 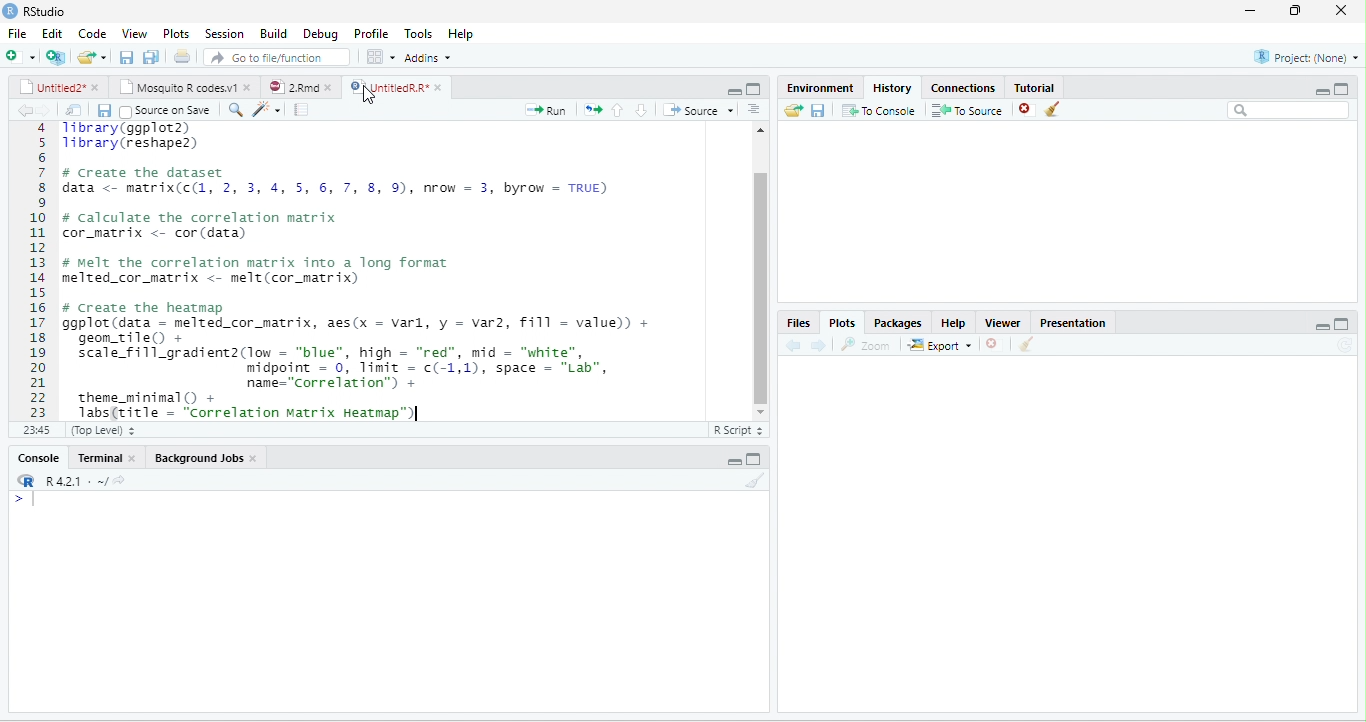 I want to click on clean, so click(x=1066, y=111).